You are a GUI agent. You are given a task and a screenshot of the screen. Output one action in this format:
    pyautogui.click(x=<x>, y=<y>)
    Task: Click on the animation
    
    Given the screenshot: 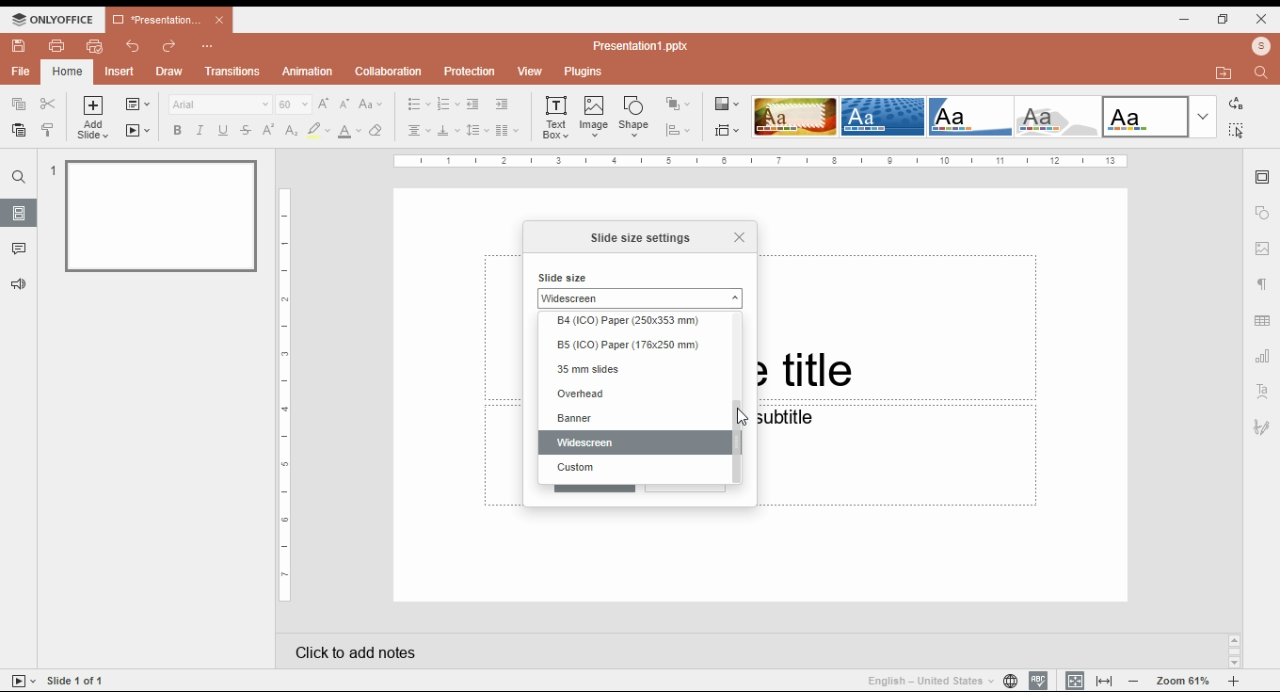 What is the action you would take?
    pyautogui.click(x=309, y=71)
    